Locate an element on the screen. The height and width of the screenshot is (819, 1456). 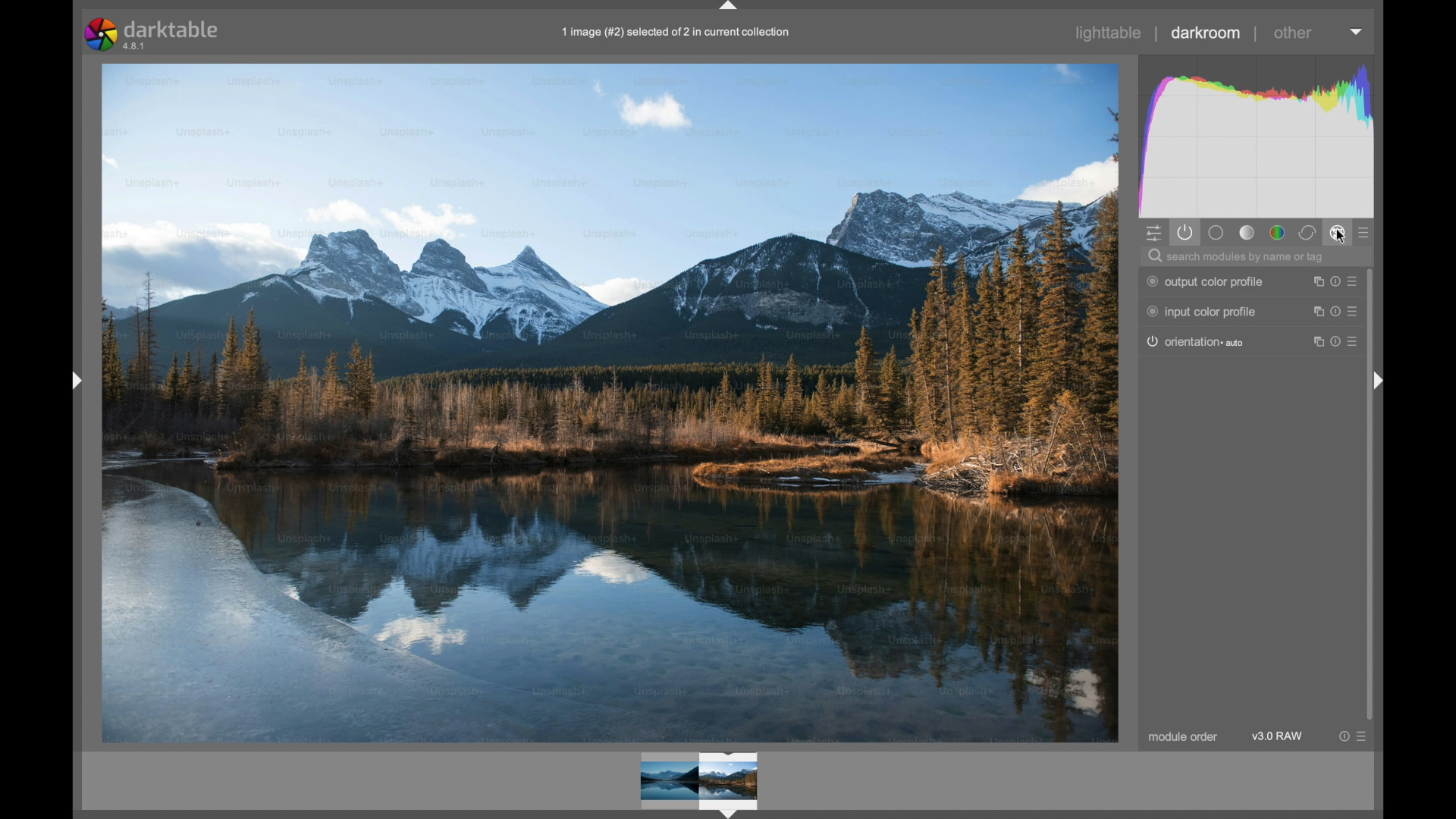
correct is located at coordinates (1308, 233).